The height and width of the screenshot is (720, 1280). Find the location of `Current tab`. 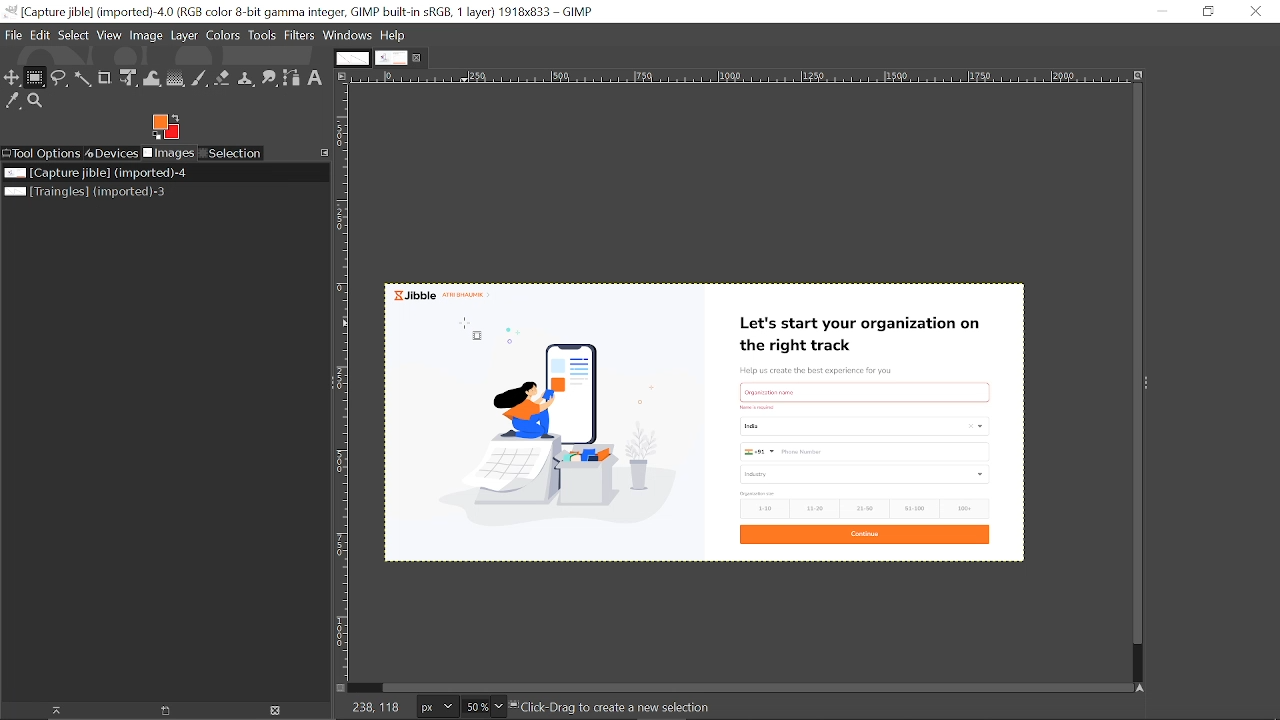

Current tab is located at coordinates (392, 58).